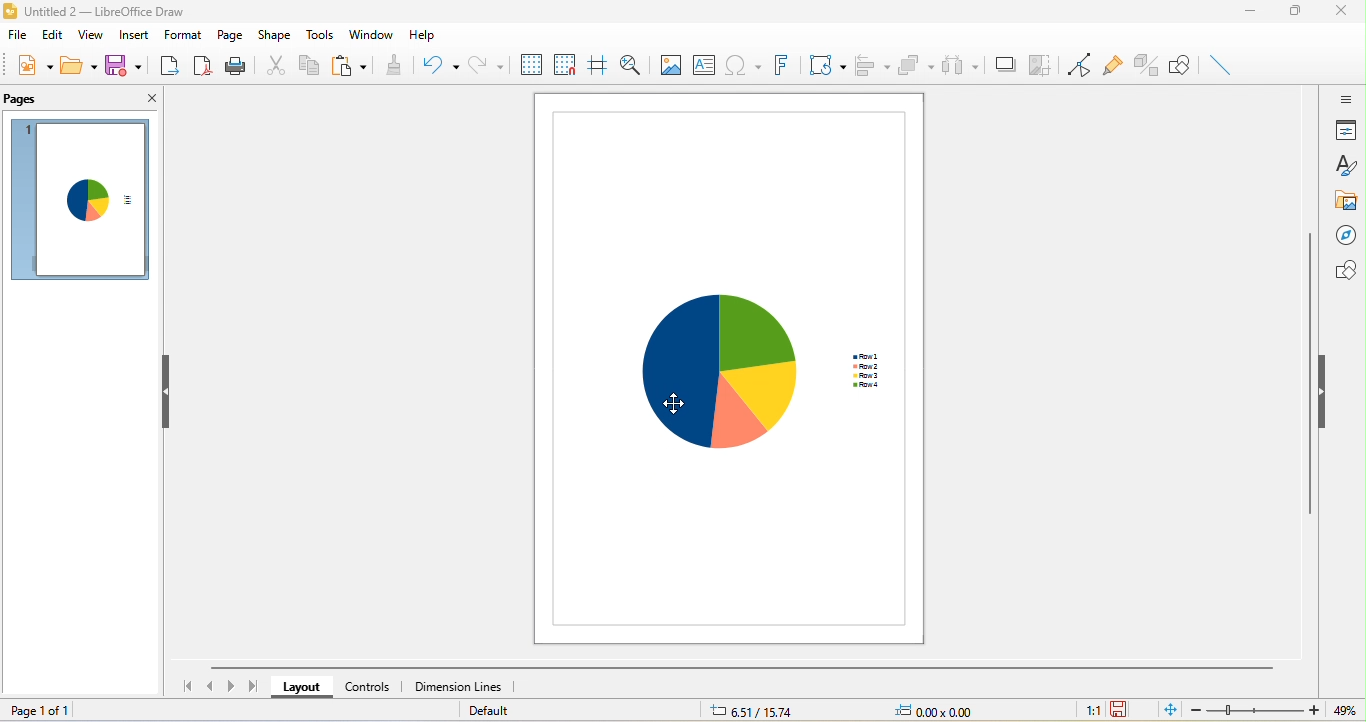  What do you see at coordinates (126, 67) in the screenshot?
I see `save` at bounding box center [126, 67].